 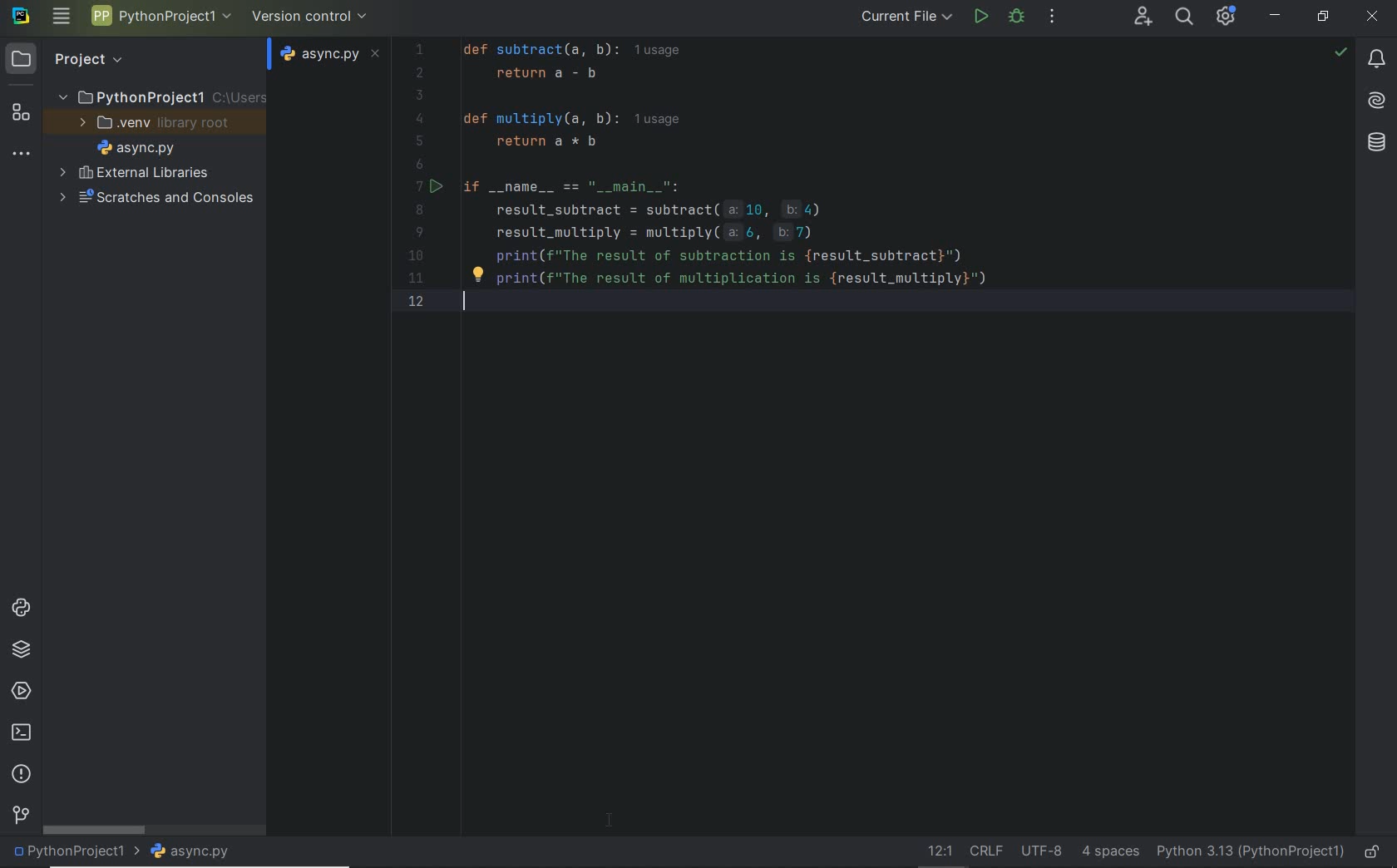 What do you see at coordinates (22, 155) in the screenshot?
I see `more tool windows` at bounding box center [22, 155].